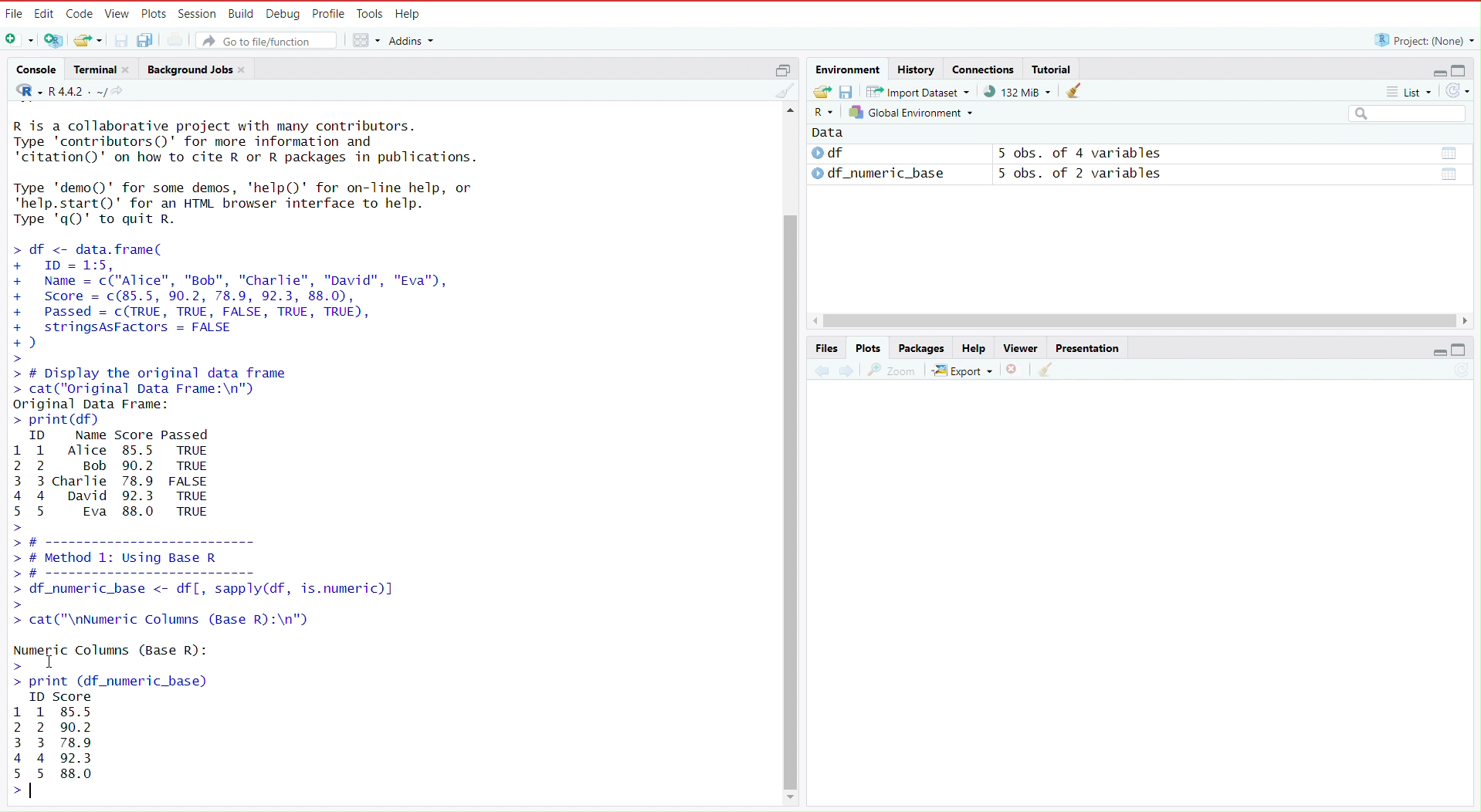  What do you see at coordinates (893, 370) in the screenshot?
I see `view a larger version of the plot in a new window.` at bounding box center [893, 370].